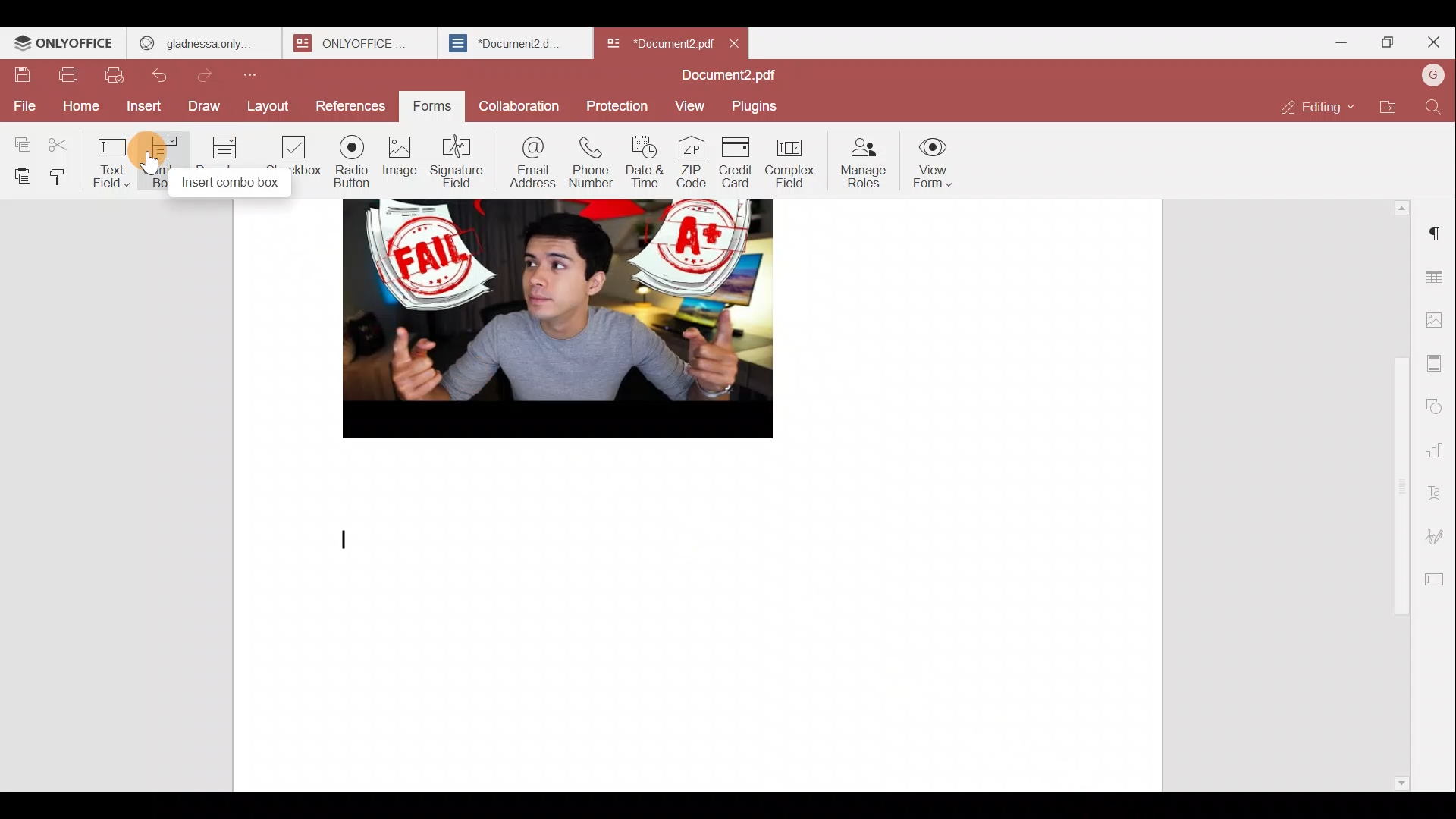  Describe the element at coordinates (64, 45) in the screenshot. I see `ONLYOFFICE` at that location.